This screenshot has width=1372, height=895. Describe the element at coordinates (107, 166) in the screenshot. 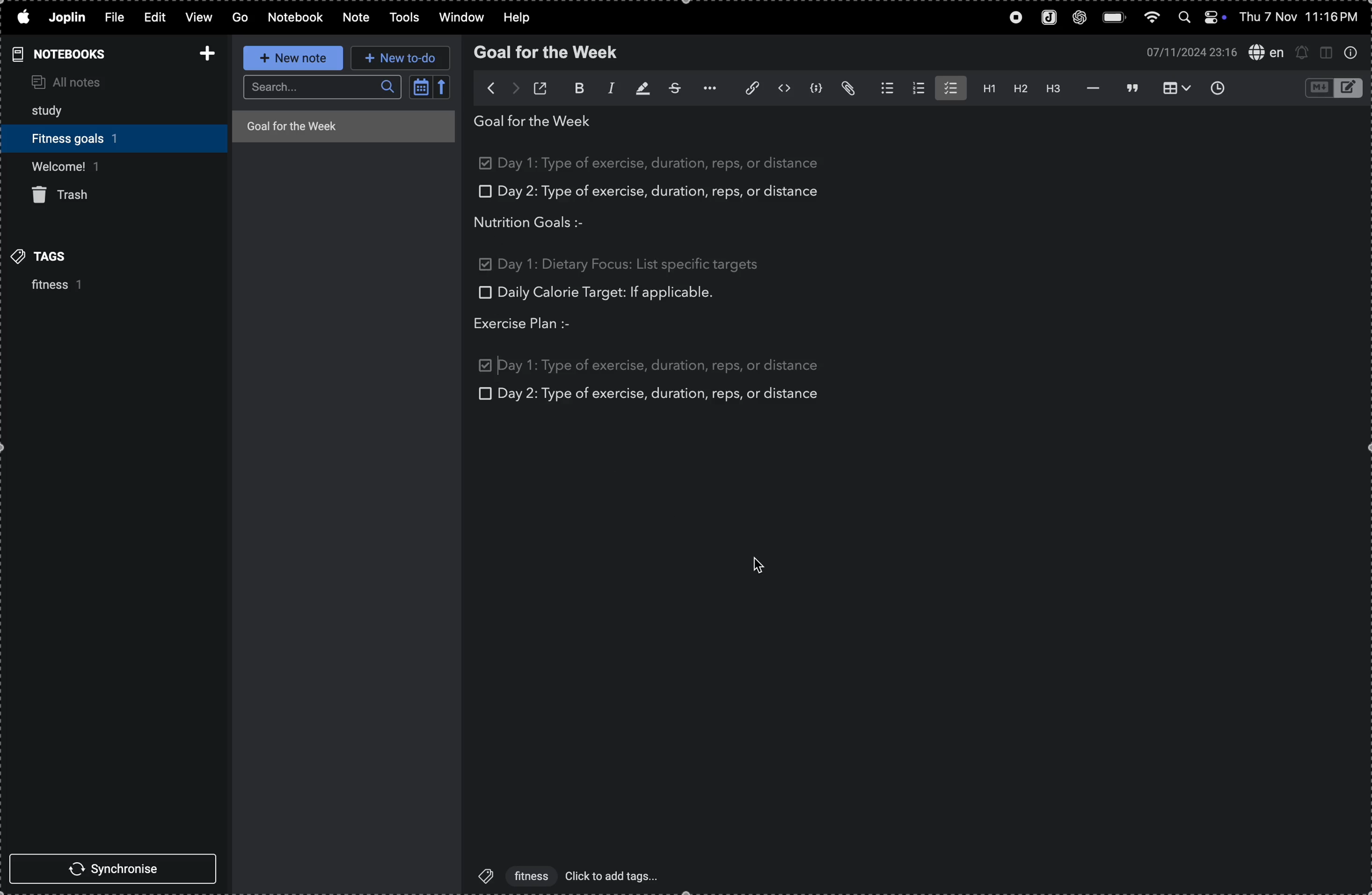

I see `welcome 1` at that location.